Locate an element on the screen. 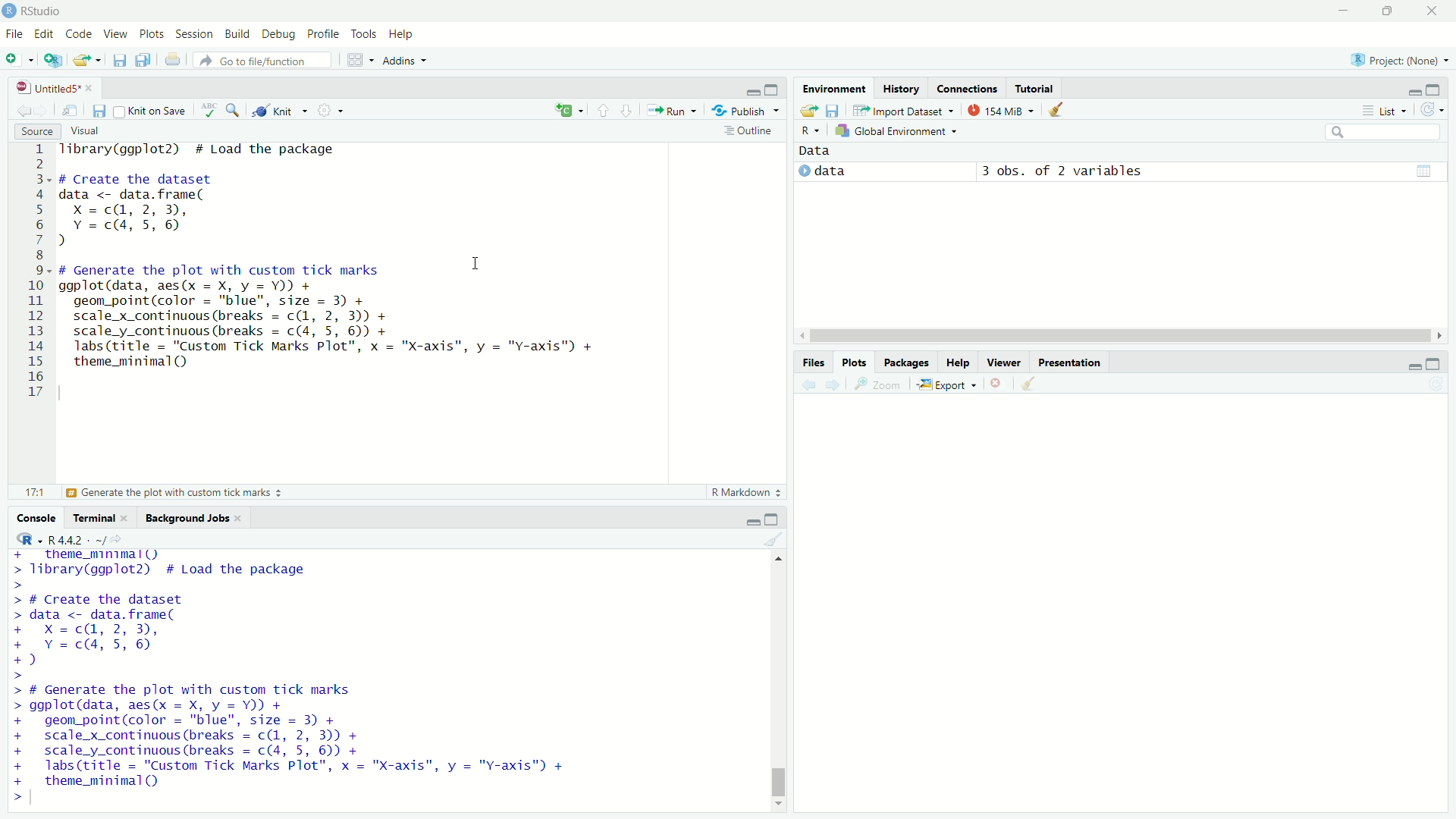 This screenshot has width=1456, height=819. save current document is located at coordinates (120, 60).